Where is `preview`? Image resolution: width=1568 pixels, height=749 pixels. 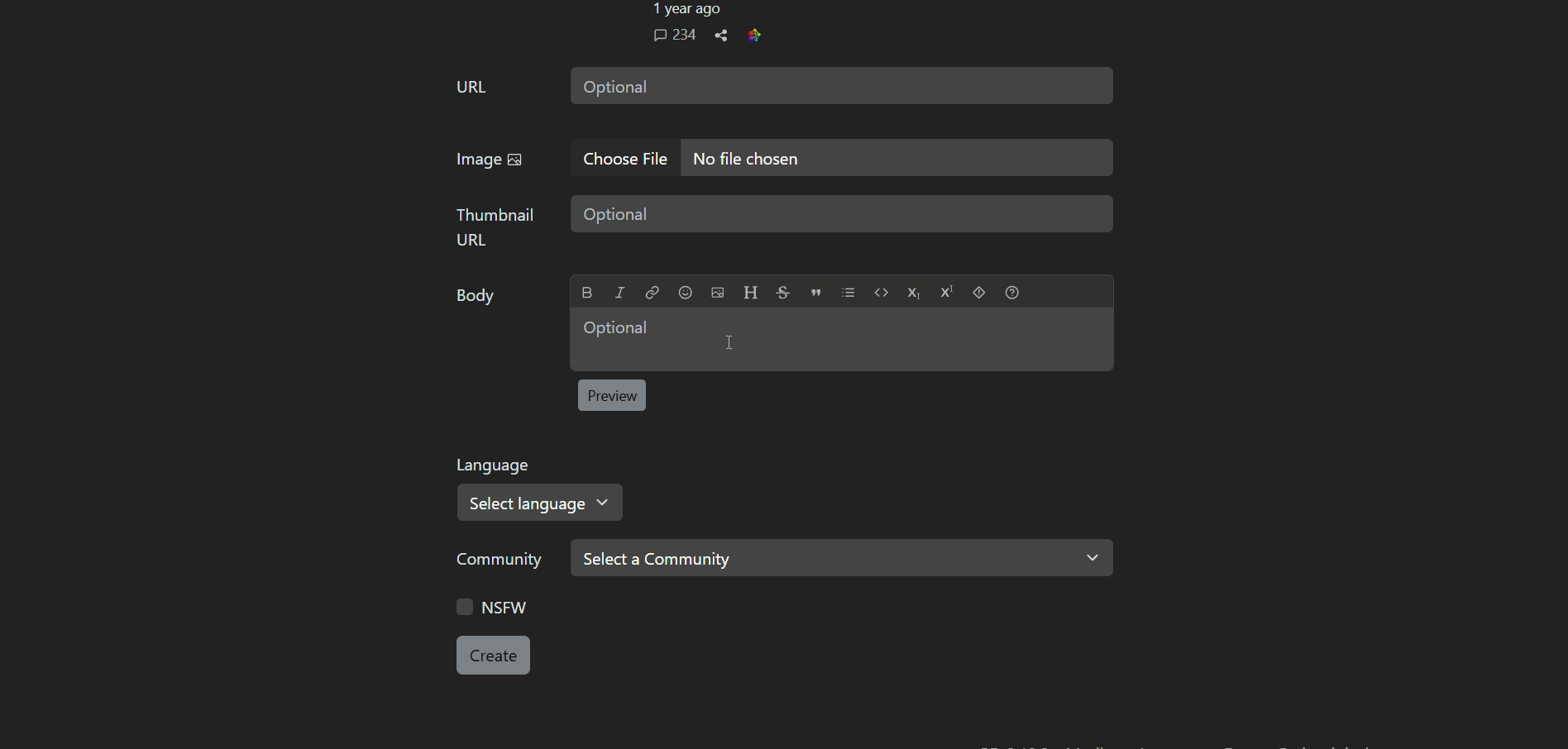
preview is located at coordinates (611, 395).